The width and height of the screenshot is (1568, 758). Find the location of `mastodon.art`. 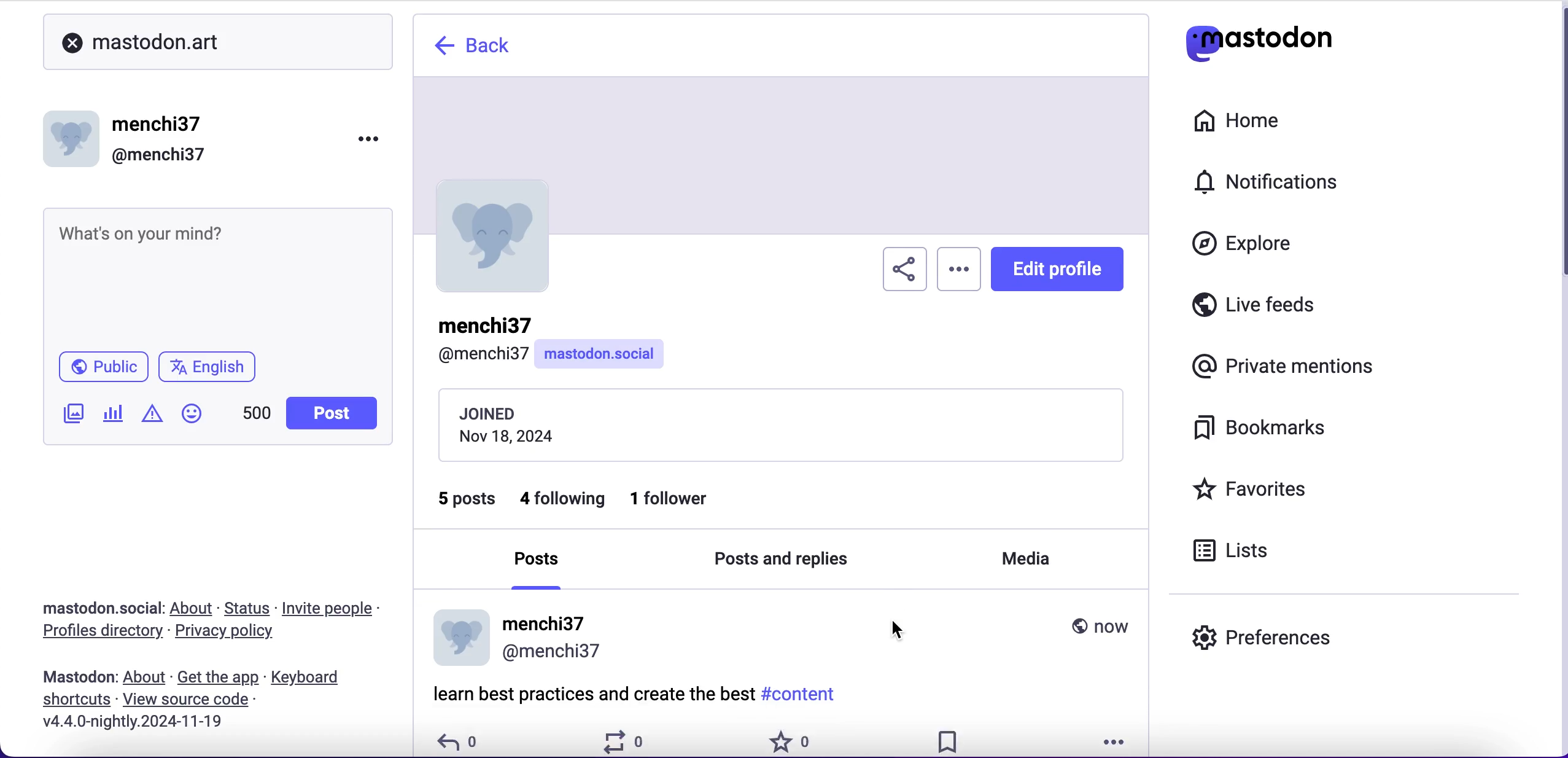

mastodon.art is located at coordinates (140, 39).